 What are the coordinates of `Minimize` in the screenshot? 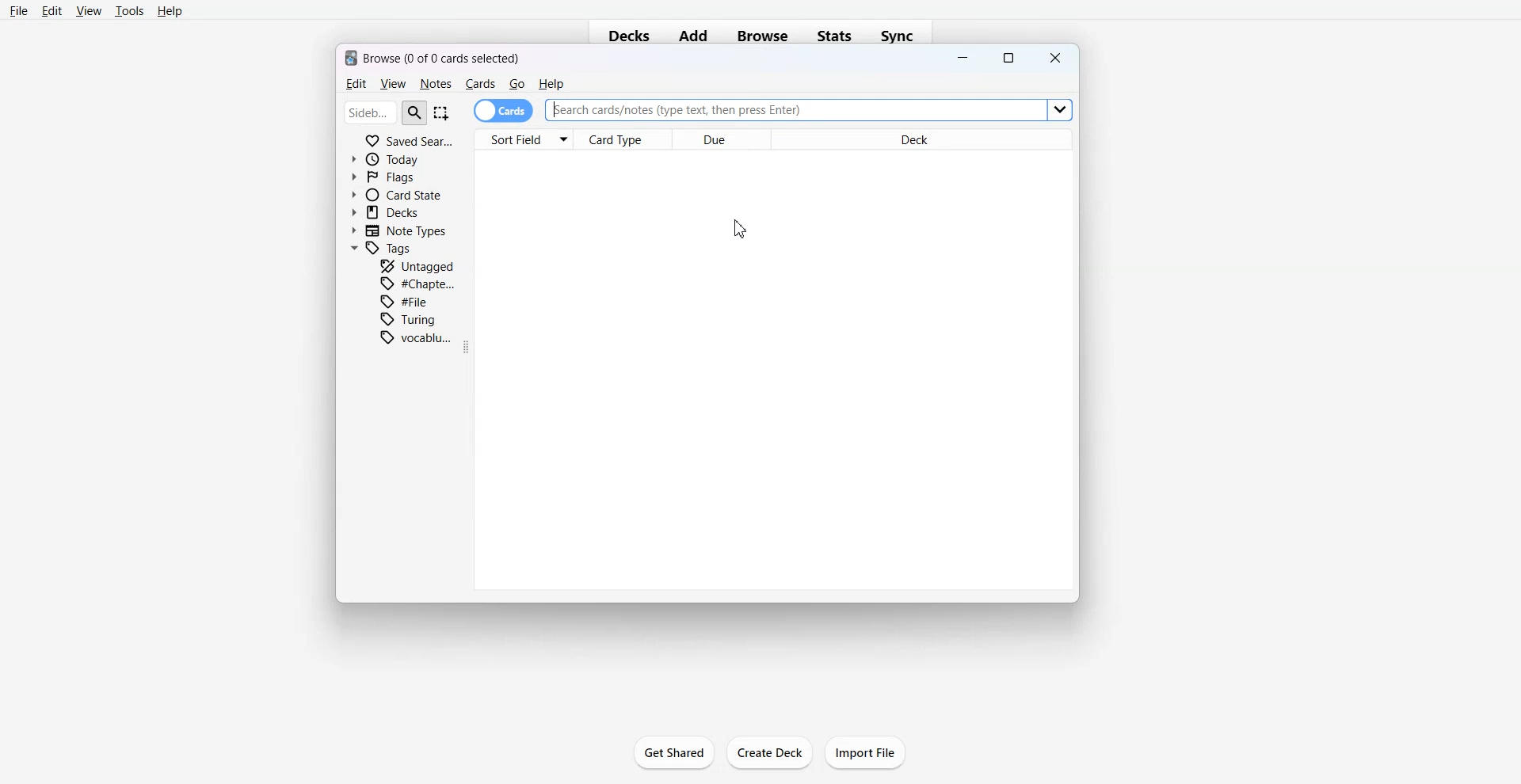 It's located at (963, 59).